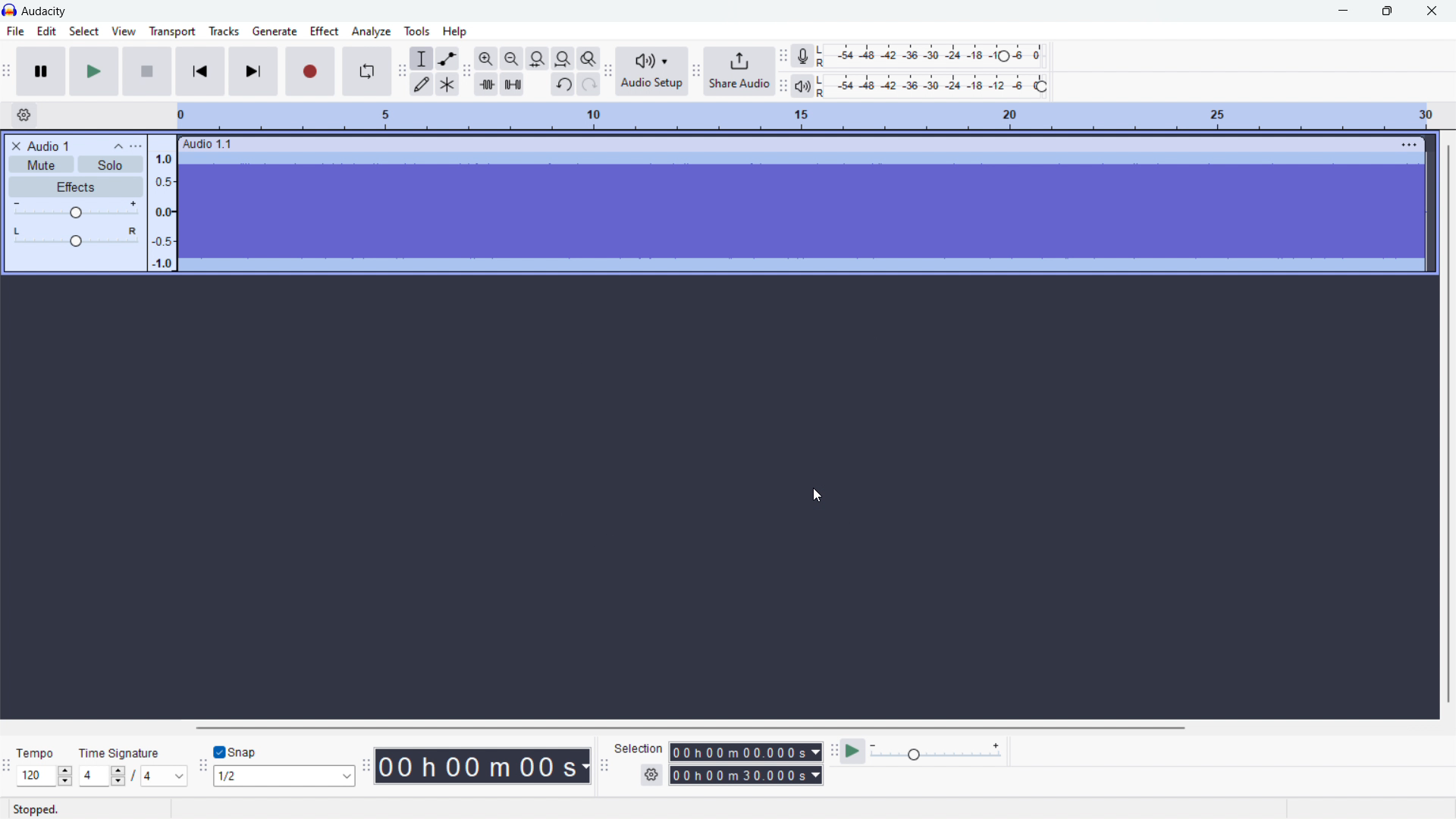  I want to click on menu, so click(1409, 144).